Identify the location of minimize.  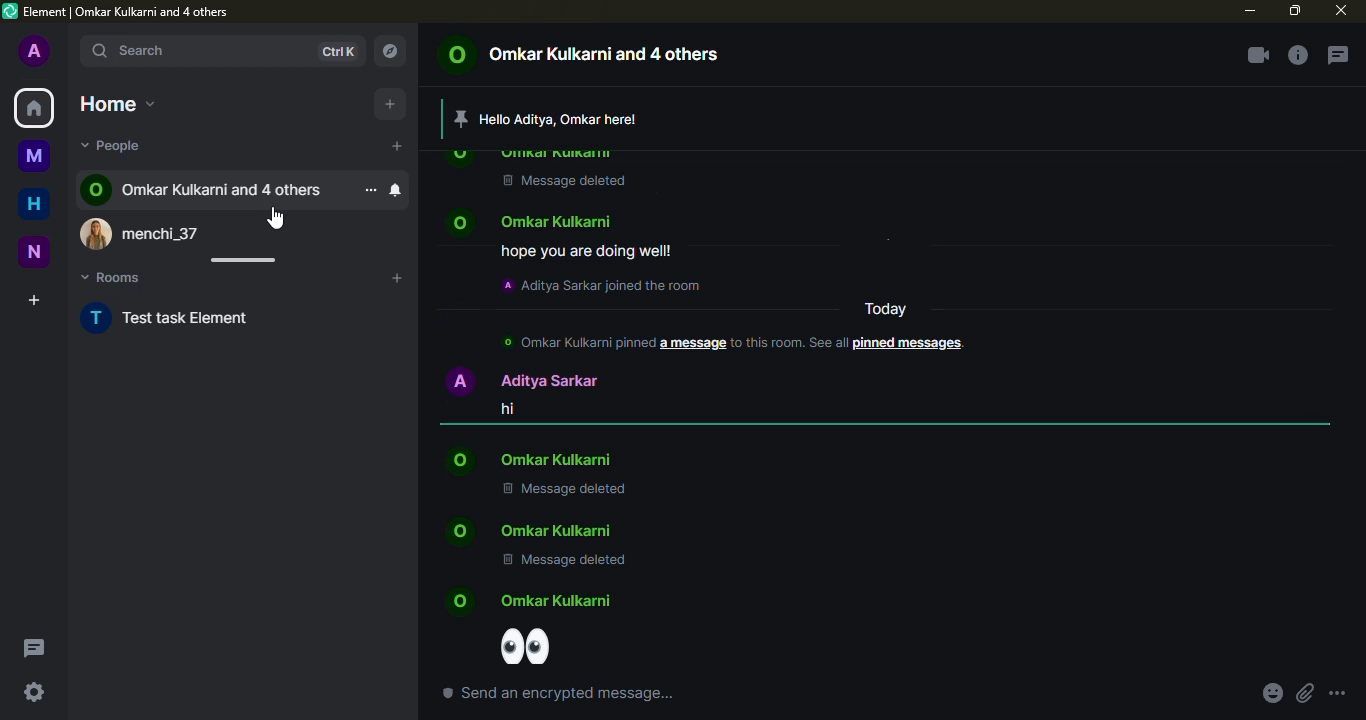
(1246, 11).